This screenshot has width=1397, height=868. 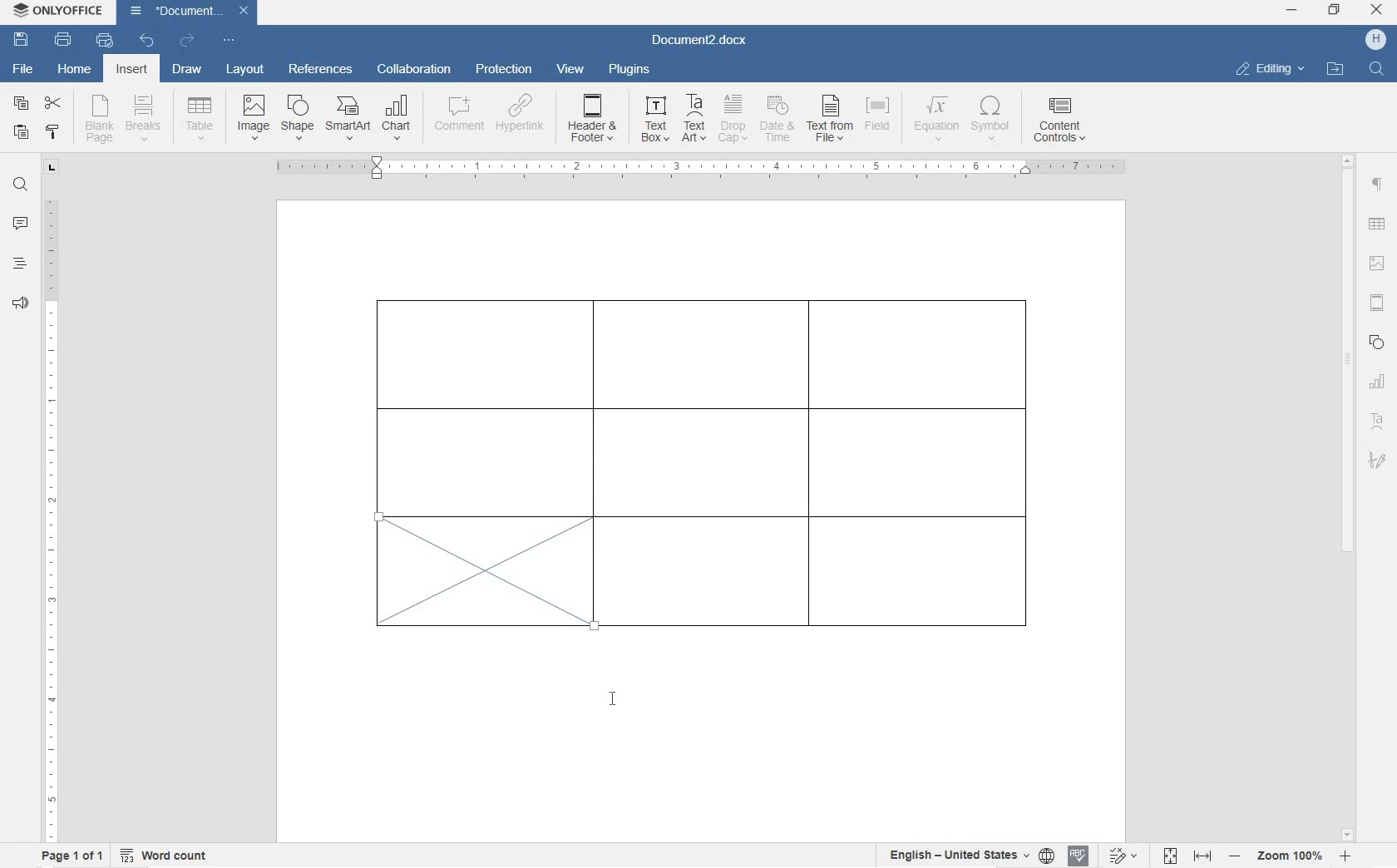 What do you see at coordinates (20, 305) in the screenshot?
I see `feedback & support` at bounding box center [20, 305].